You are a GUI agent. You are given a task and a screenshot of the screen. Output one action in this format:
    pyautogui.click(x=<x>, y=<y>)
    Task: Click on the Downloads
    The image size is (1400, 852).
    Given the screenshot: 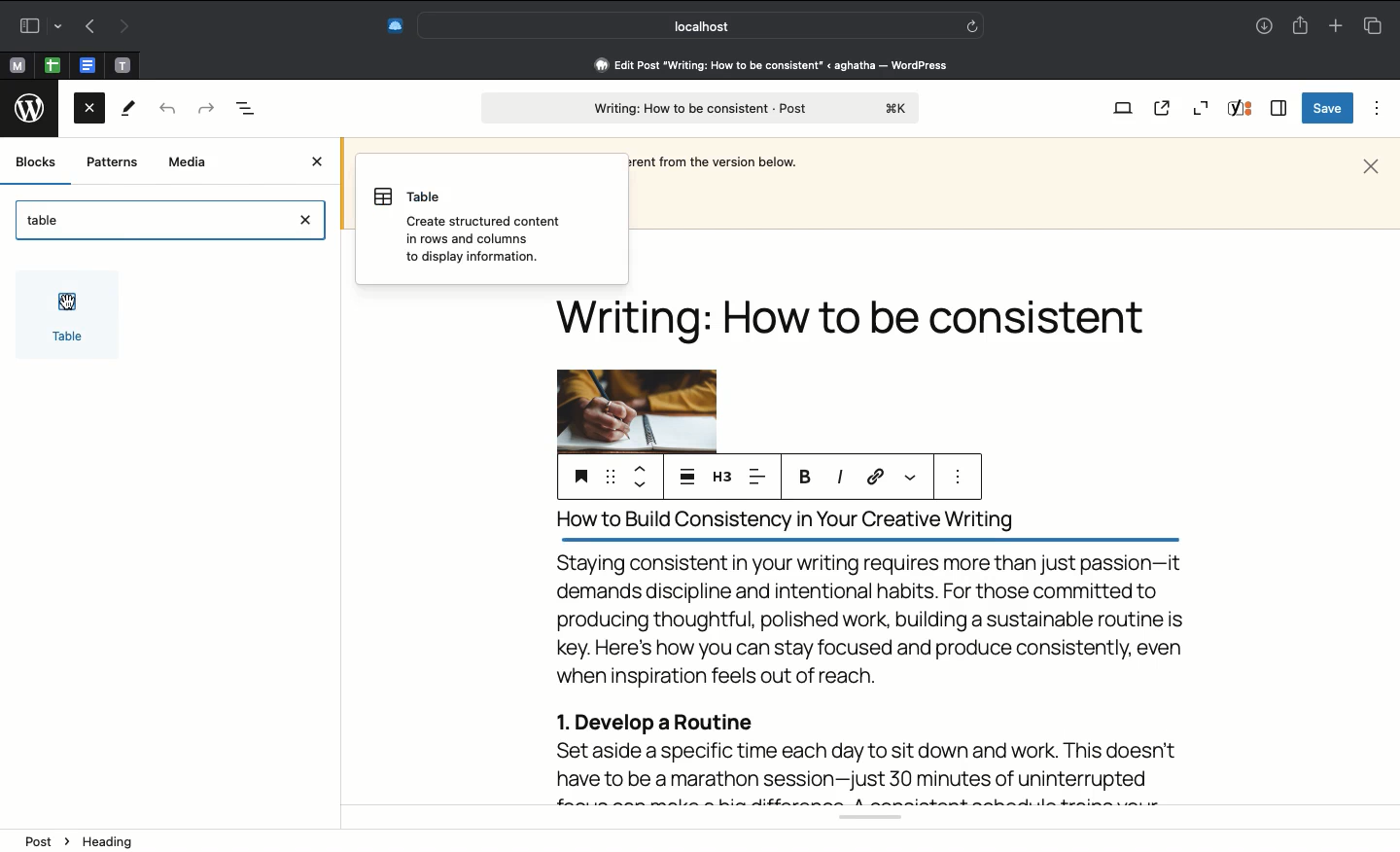 What is the action you would take?
    pyautogui.click(x=1266, y=25)
    